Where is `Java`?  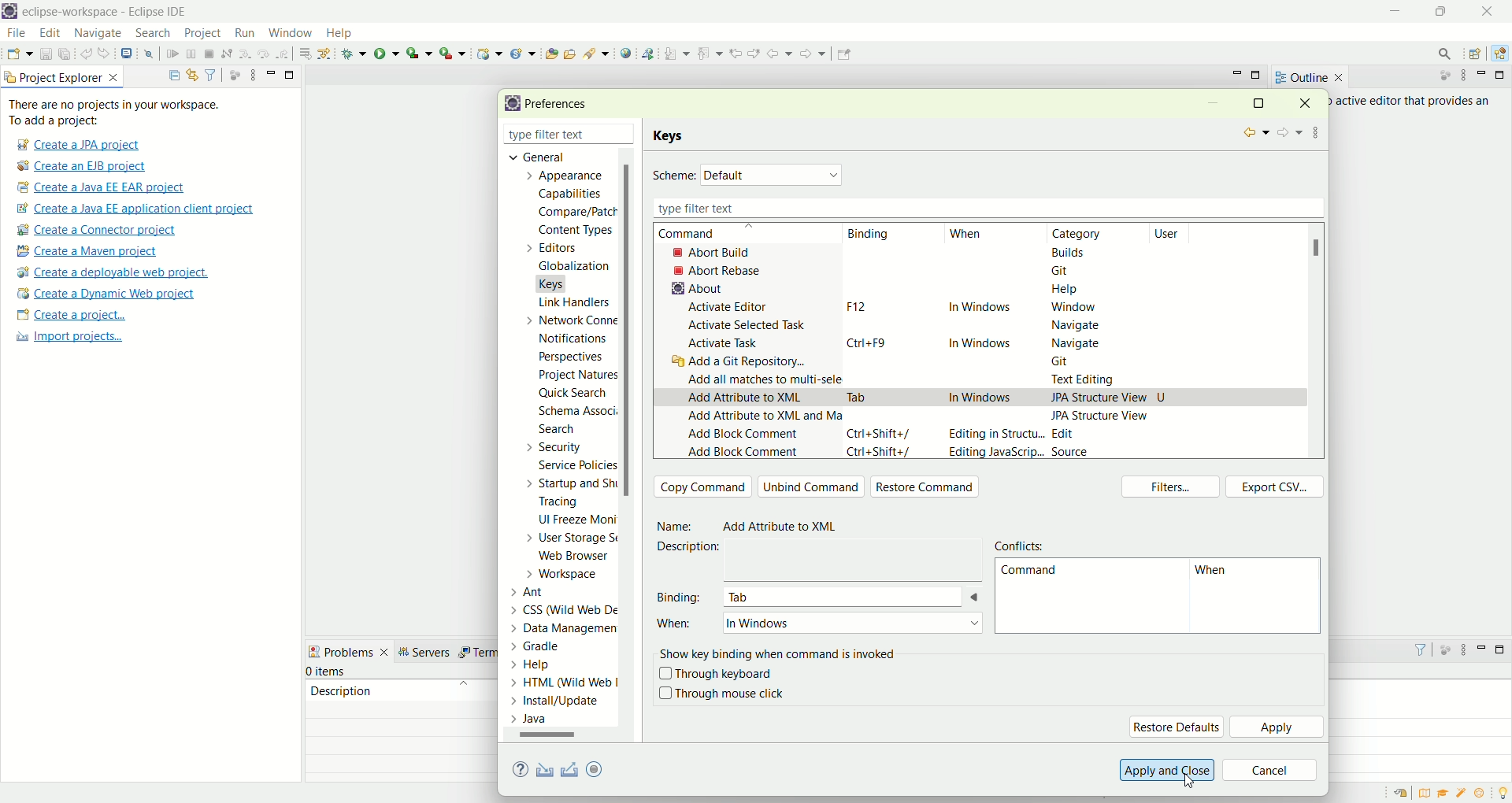 Java is located at coordinates (533, 719).